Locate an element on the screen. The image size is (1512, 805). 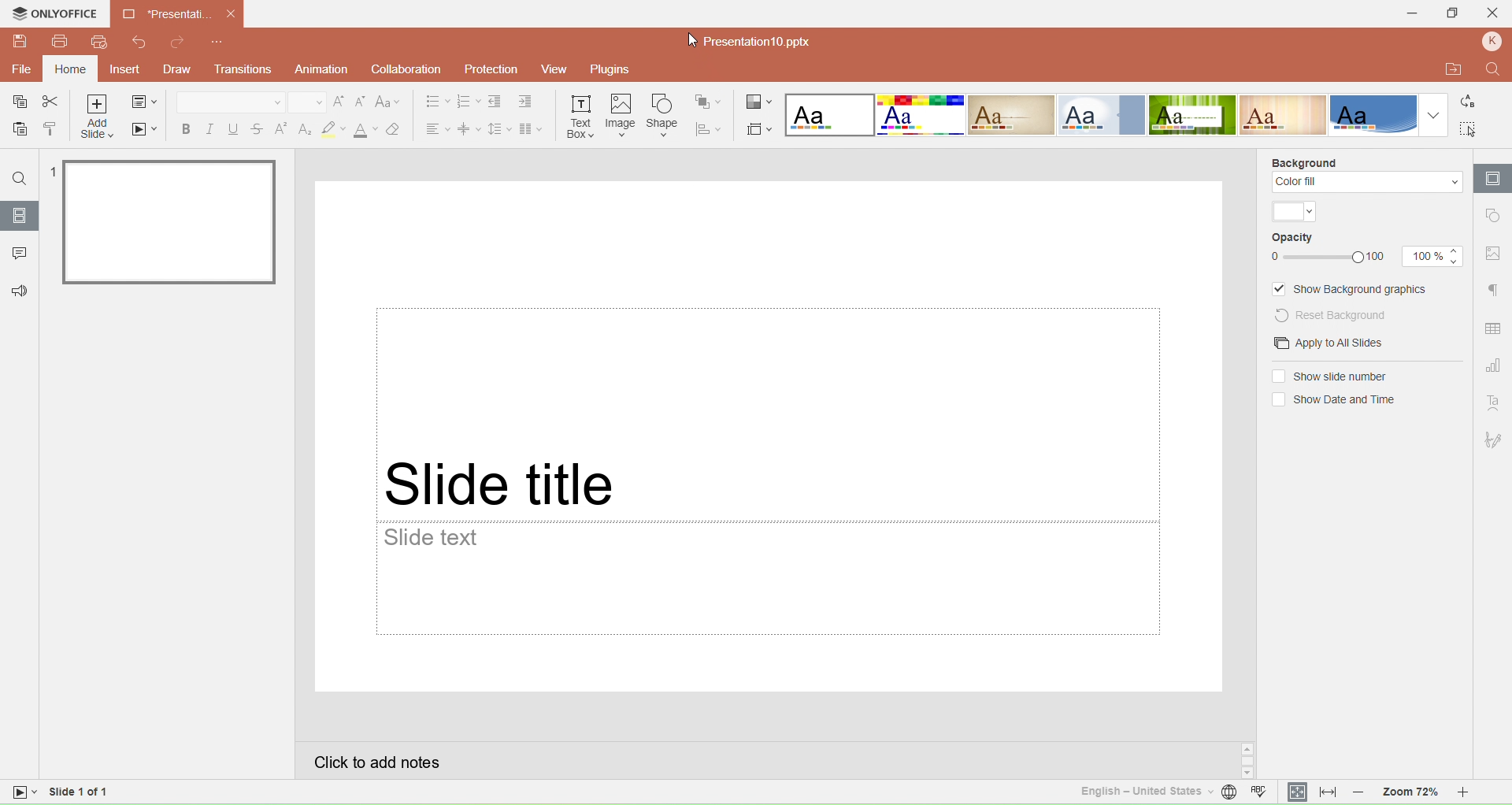
Font is located at coordinates (229, 101).